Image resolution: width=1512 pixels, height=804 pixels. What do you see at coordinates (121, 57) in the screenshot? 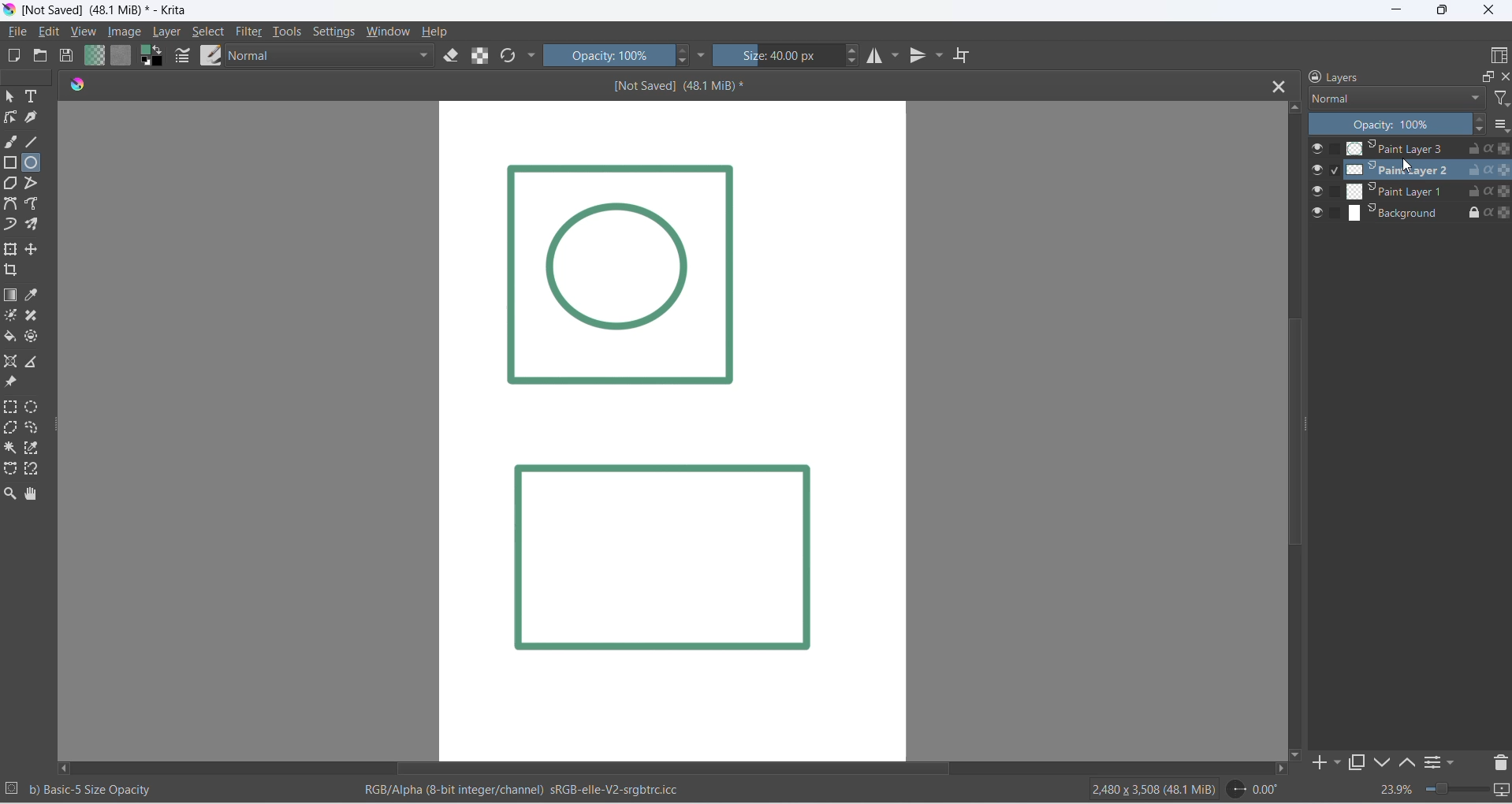
I see `fill patterns` at bounding box center [121, 57].